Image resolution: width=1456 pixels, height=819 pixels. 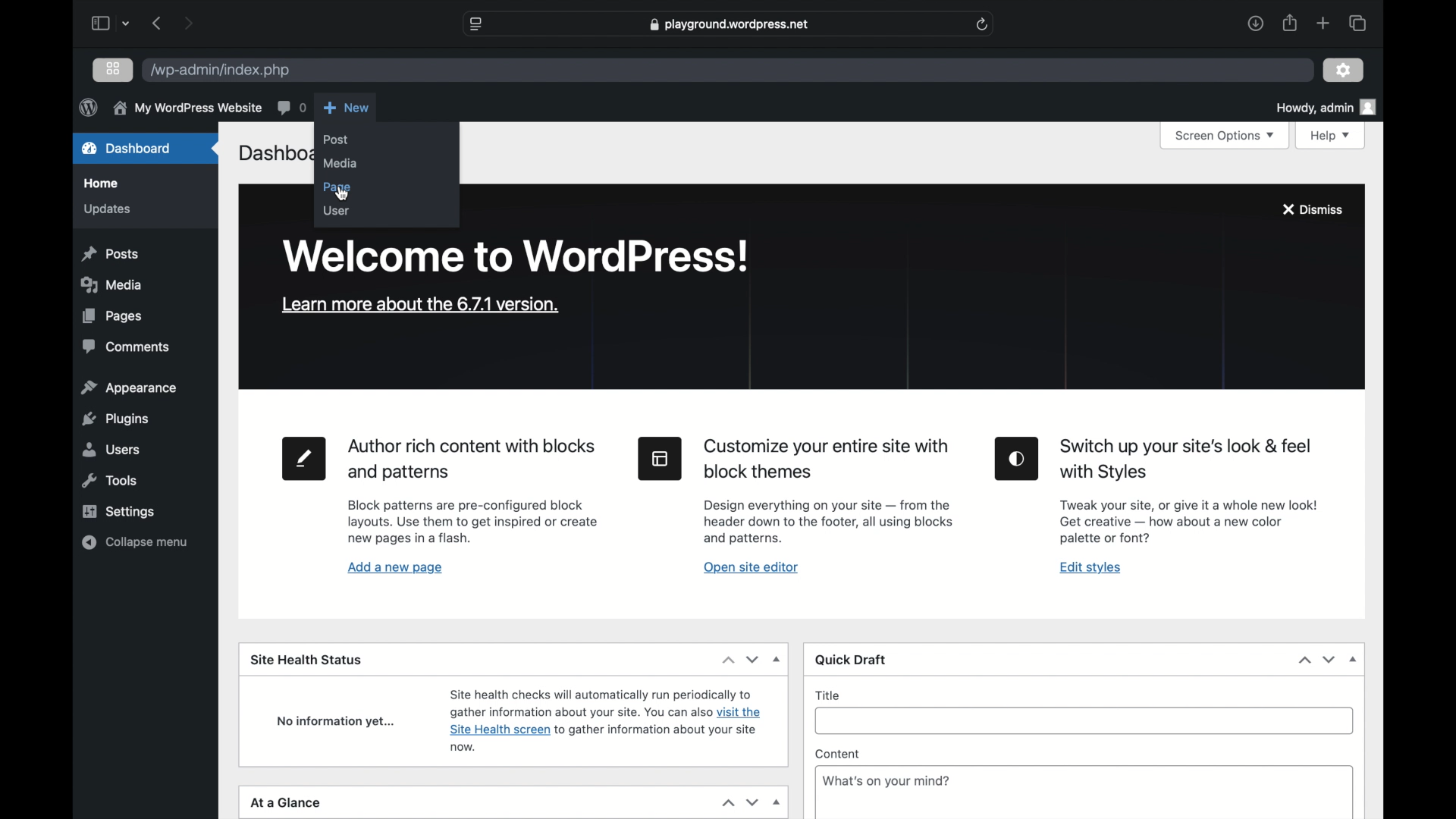 What do you see at coordinates (983, 25) in the screenshot?
I see `refresh` at bounding box center [983, 25].